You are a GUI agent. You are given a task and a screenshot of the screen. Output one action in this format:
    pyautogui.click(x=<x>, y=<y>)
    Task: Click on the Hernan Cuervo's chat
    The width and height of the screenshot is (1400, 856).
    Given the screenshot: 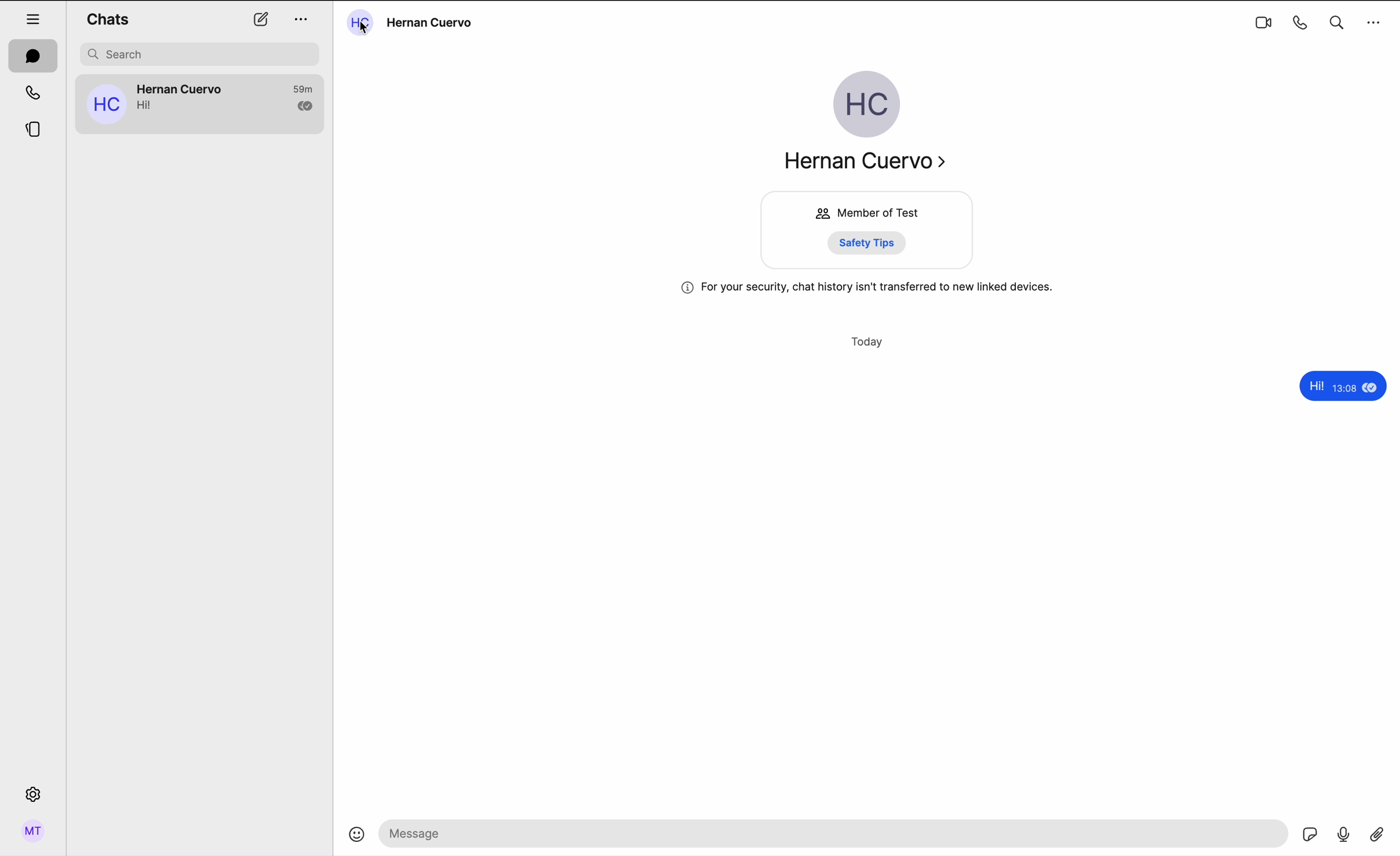 What is the action you would take?
    pyautogui.click(x=198, y=101)
    